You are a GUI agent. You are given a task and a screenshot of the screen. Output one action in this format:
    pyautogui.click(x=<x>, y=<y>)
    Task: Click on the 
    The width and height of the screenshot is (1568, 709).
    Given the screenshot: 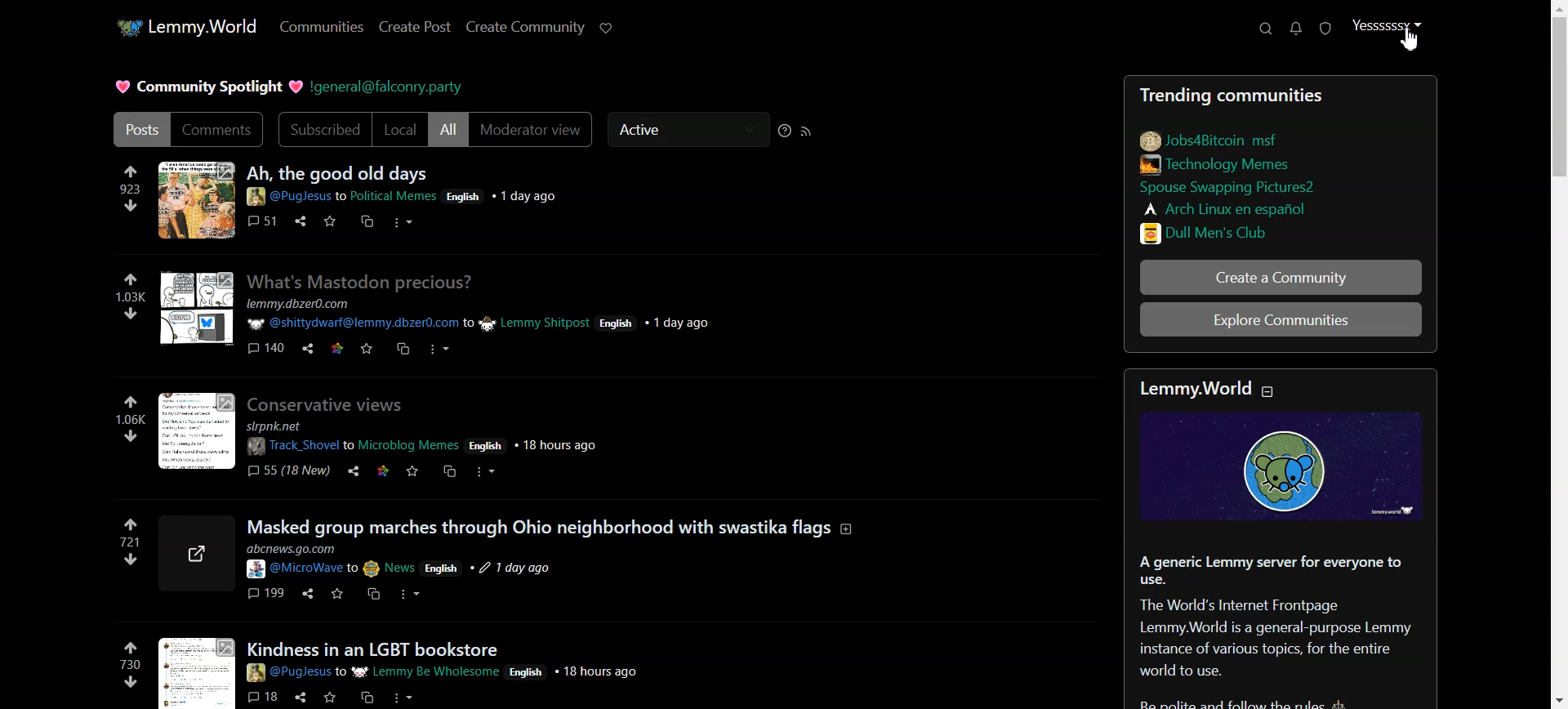 What is the action you would take?
    pyautogui.click(x=325, y=402)
    